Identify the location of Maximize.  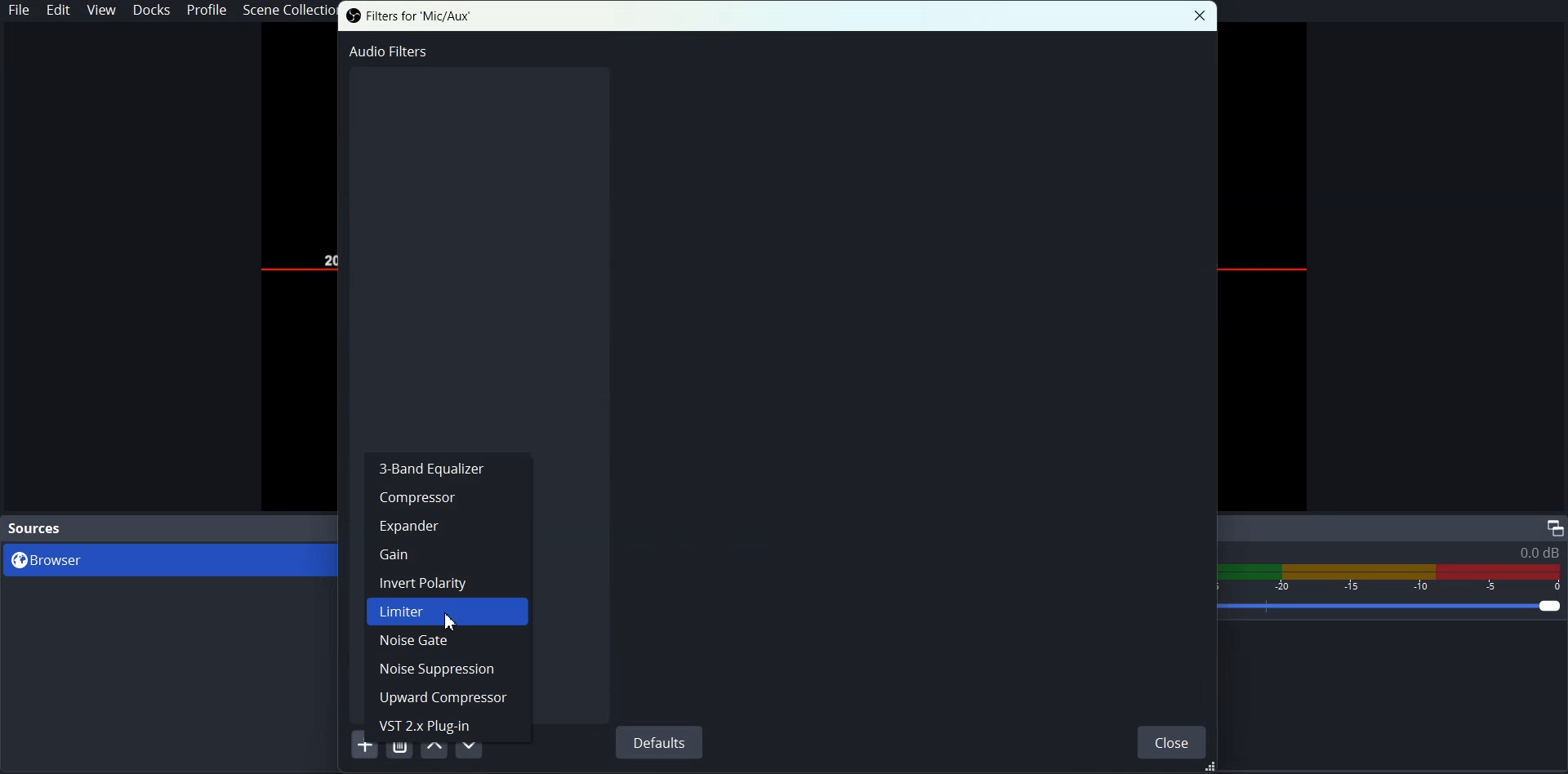
(1554, 527).